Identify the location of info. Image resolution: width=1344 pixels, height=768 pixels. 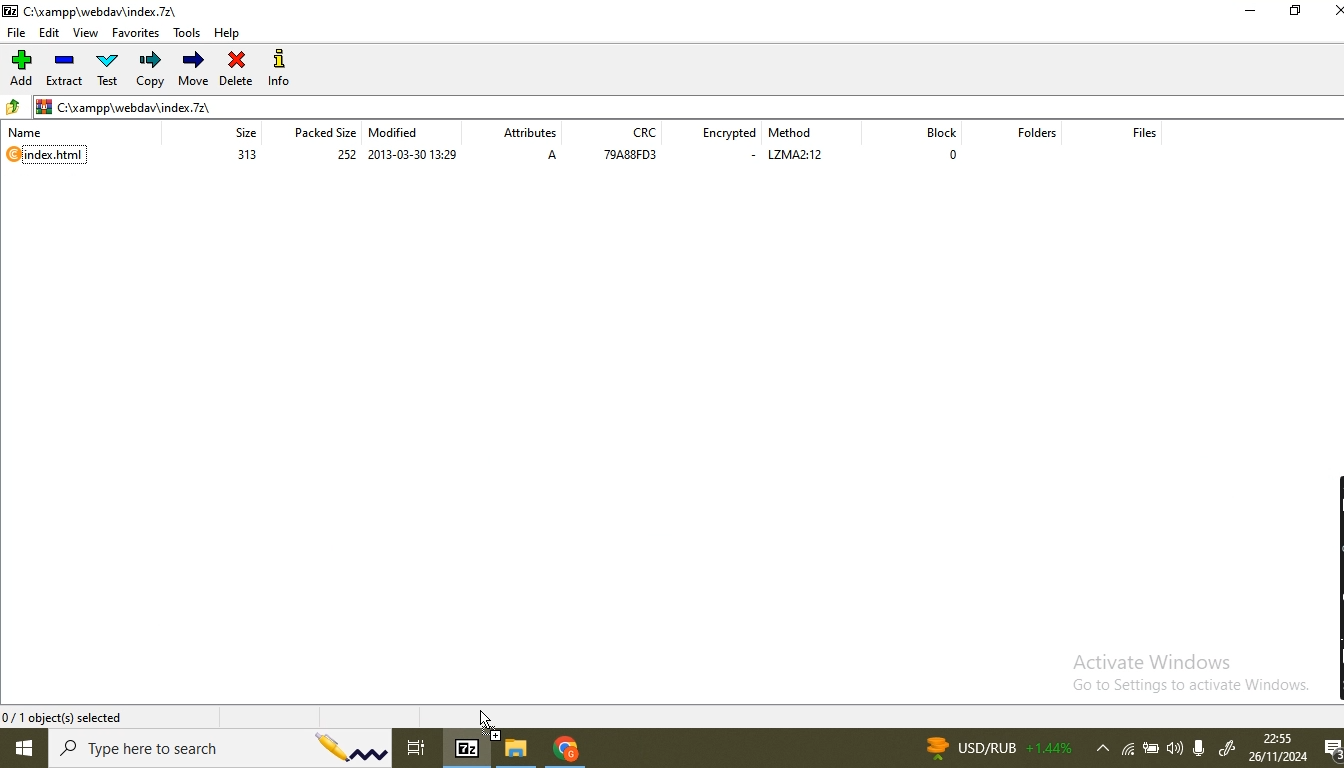
(284, 68).